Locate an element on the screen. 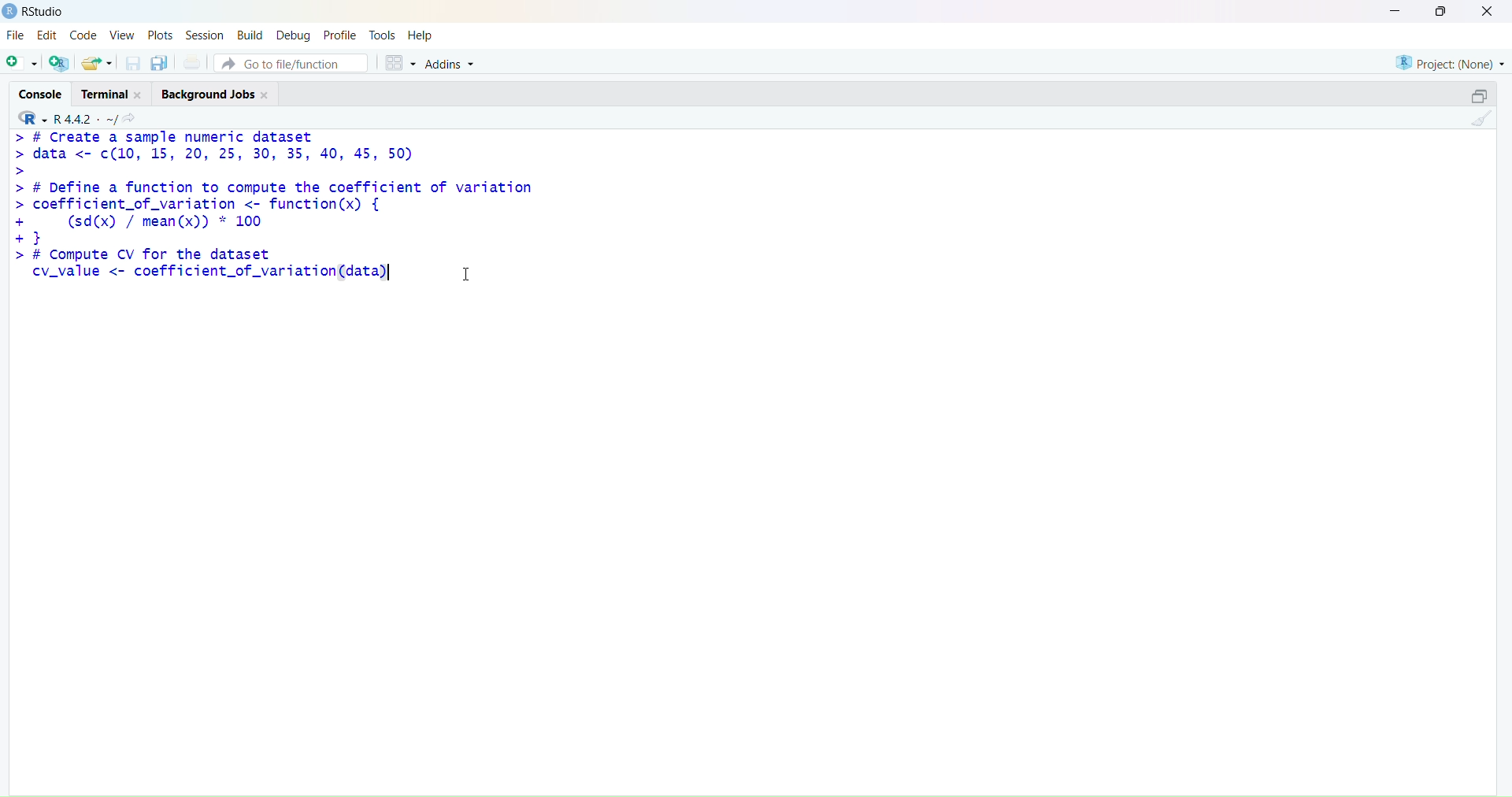 This screenshot has height=797, width=1512. build is located at coordinates (250, 35).